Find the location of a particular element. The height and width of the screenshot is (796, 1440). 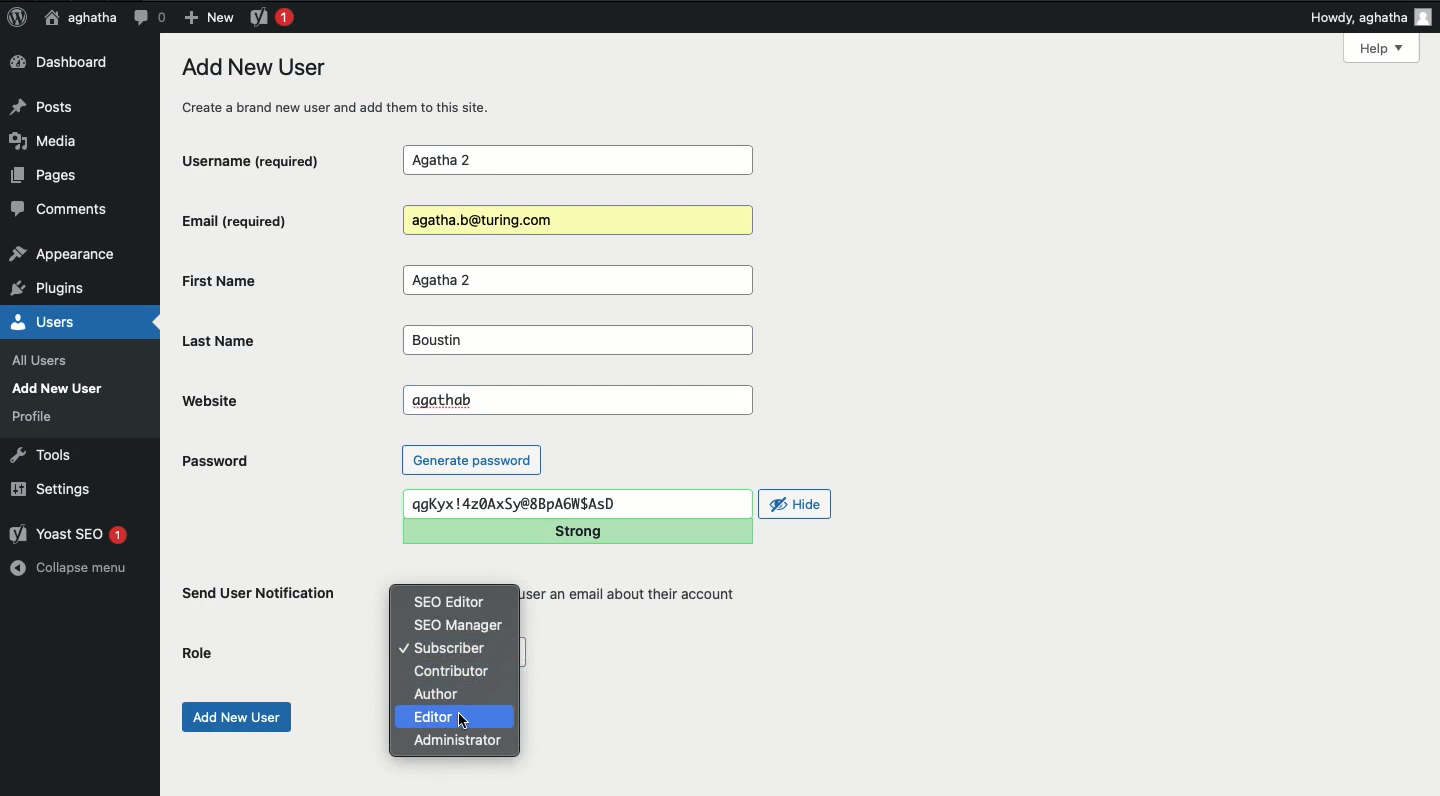

Website is located at coordinates (259, 400).